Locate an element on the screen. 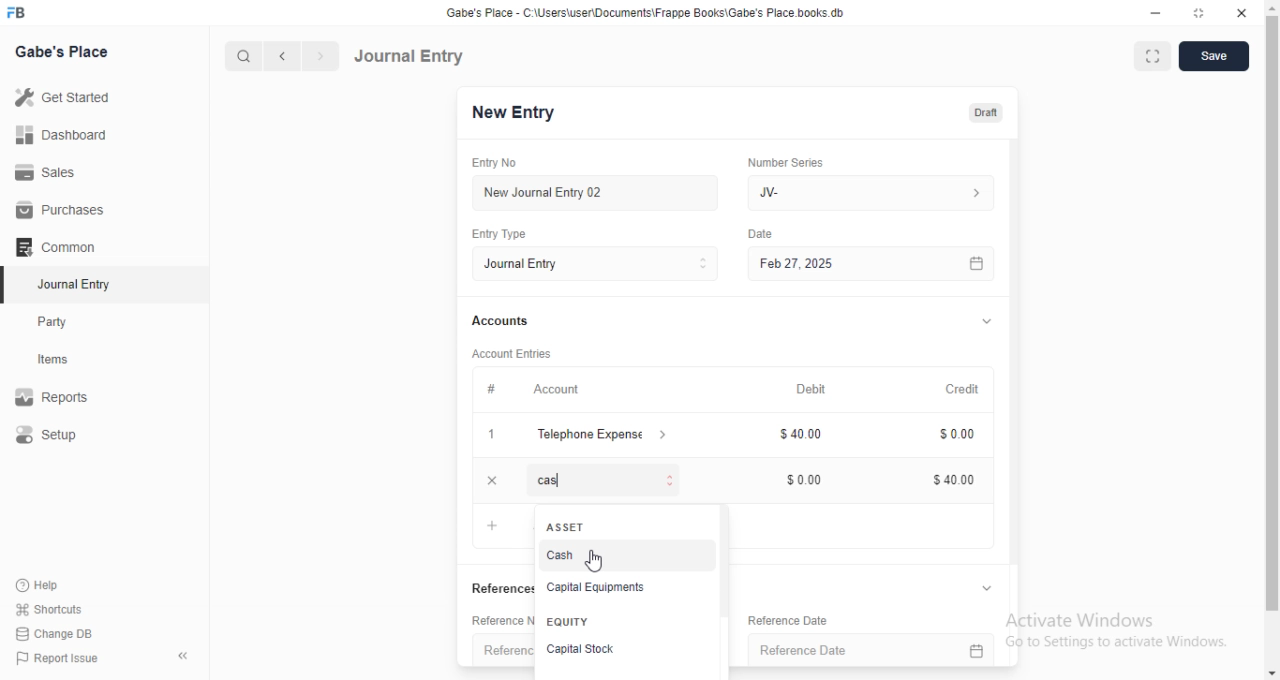 The height and width of the screenshot is (680, 1280). Entry No is located at coordinates (500, 161).